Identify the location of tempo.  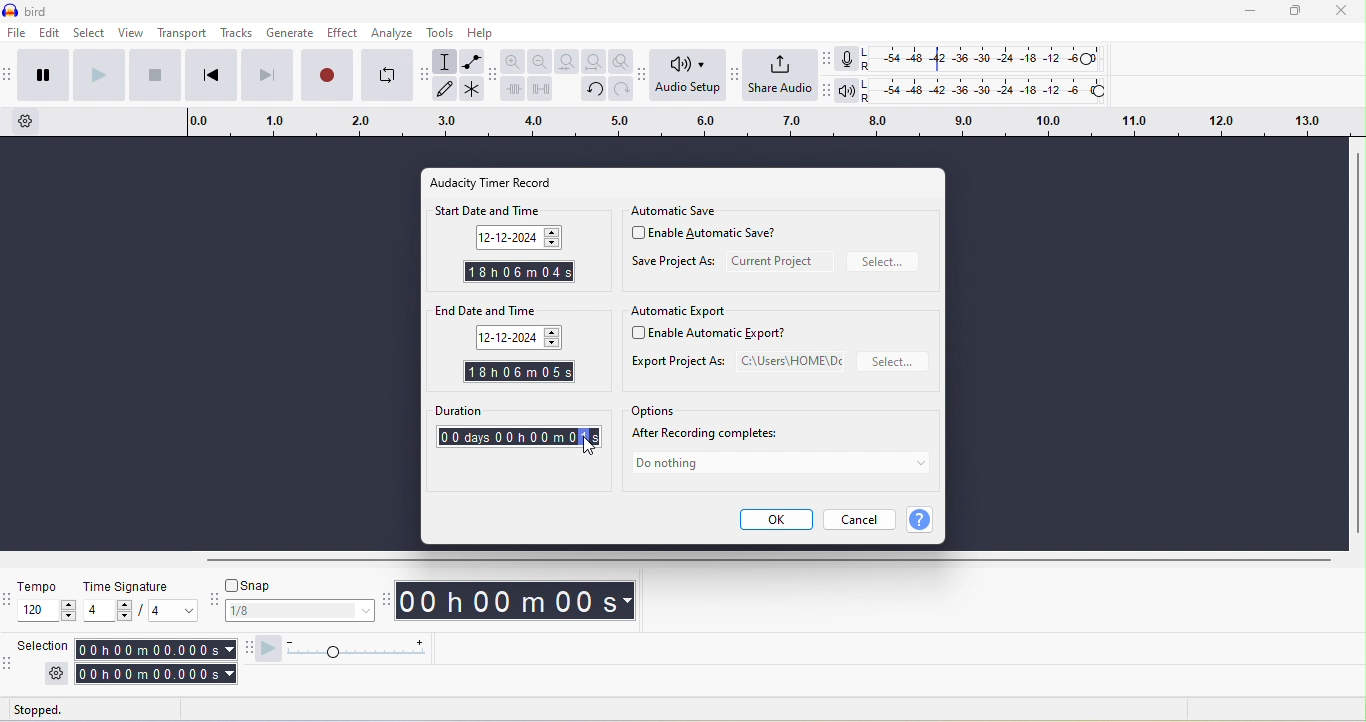
(48, 586).